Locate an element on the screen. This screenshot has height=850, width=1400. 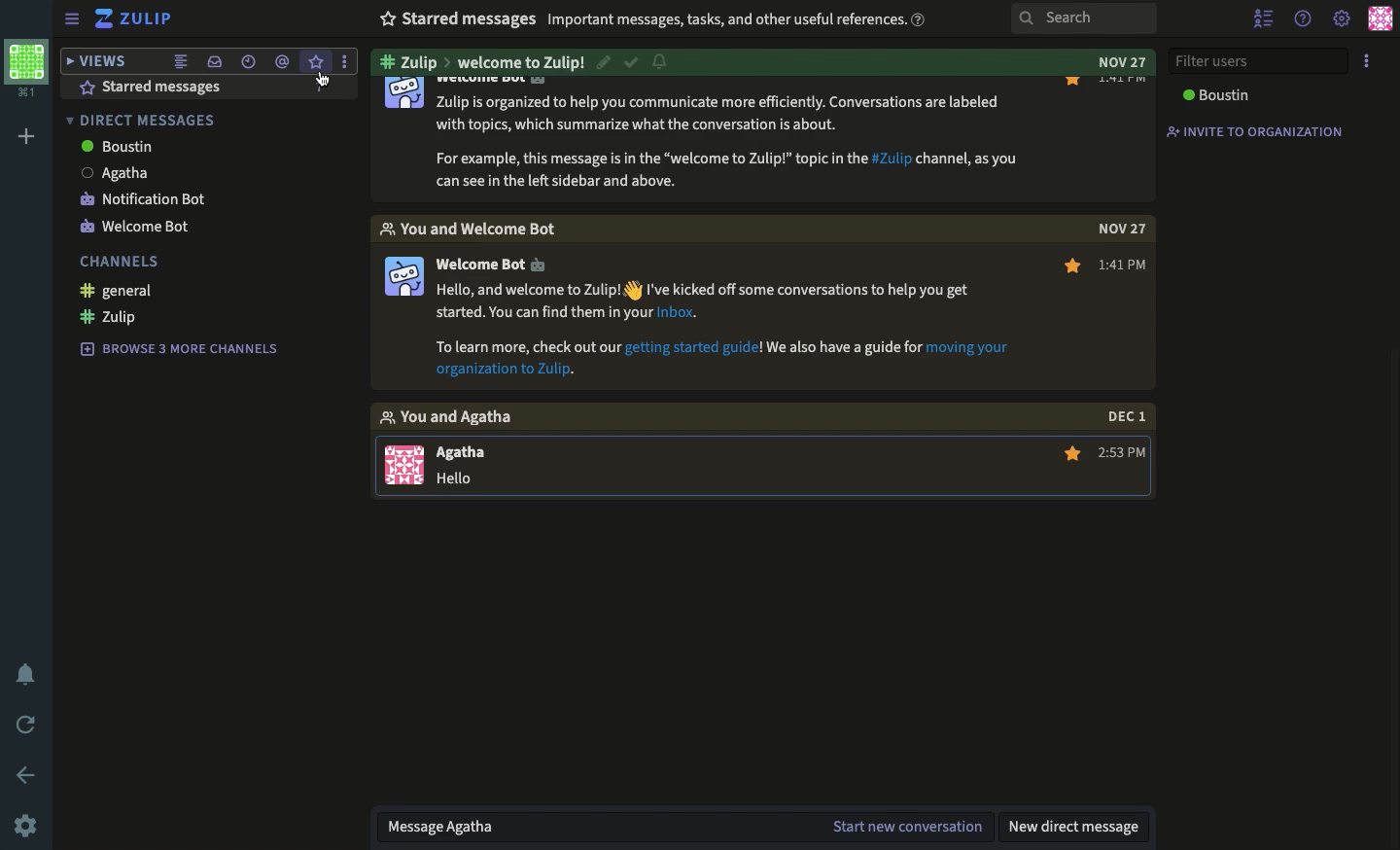
welcome bot is located at coordinates (131, 230).